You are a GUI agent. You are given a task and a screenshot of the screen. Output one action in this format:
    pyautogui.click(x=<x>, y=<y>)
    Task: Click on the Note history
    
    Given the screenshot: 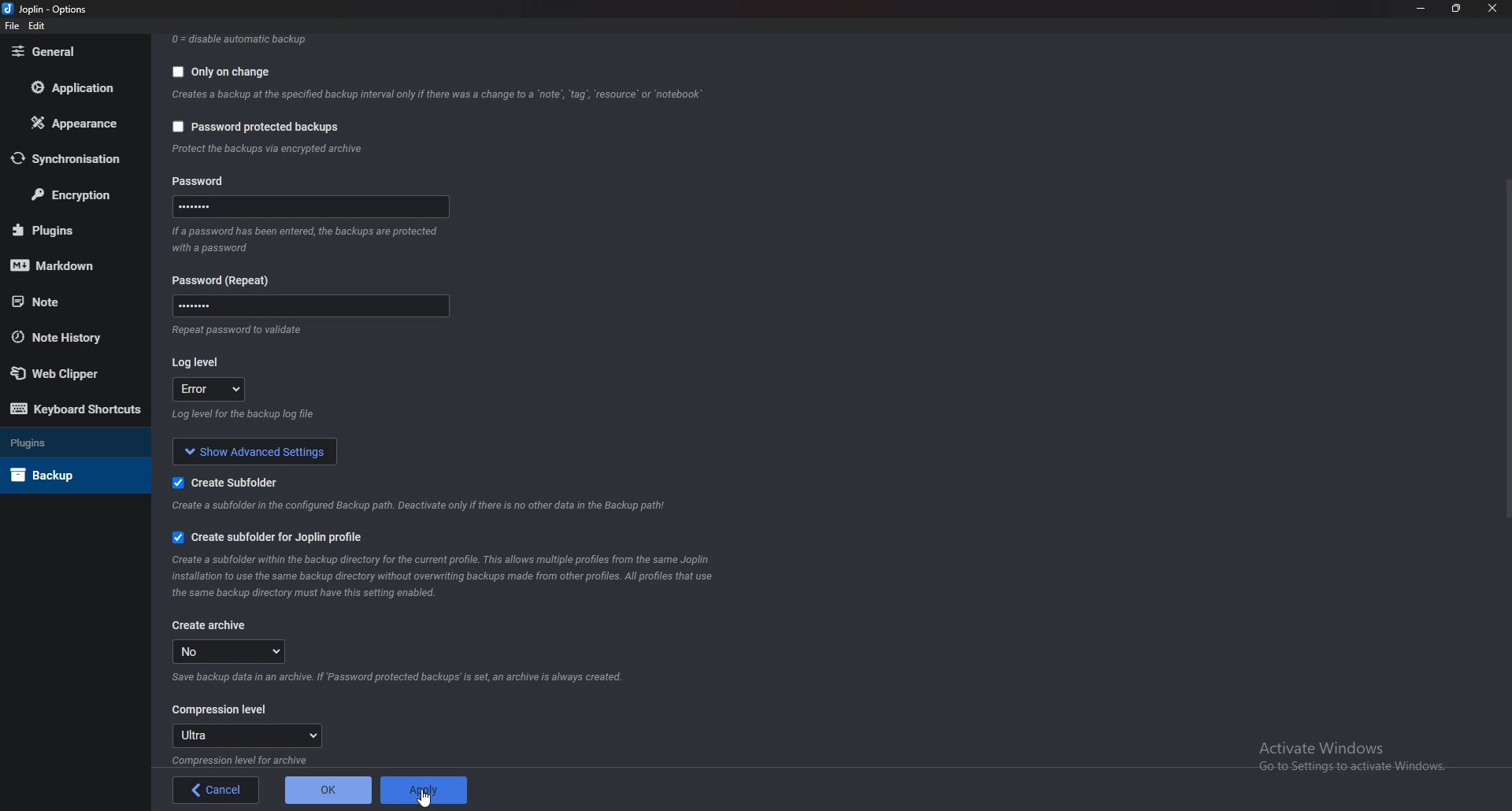 What is the action you would take?
    pyautogui.click(x=67, y=339)
    